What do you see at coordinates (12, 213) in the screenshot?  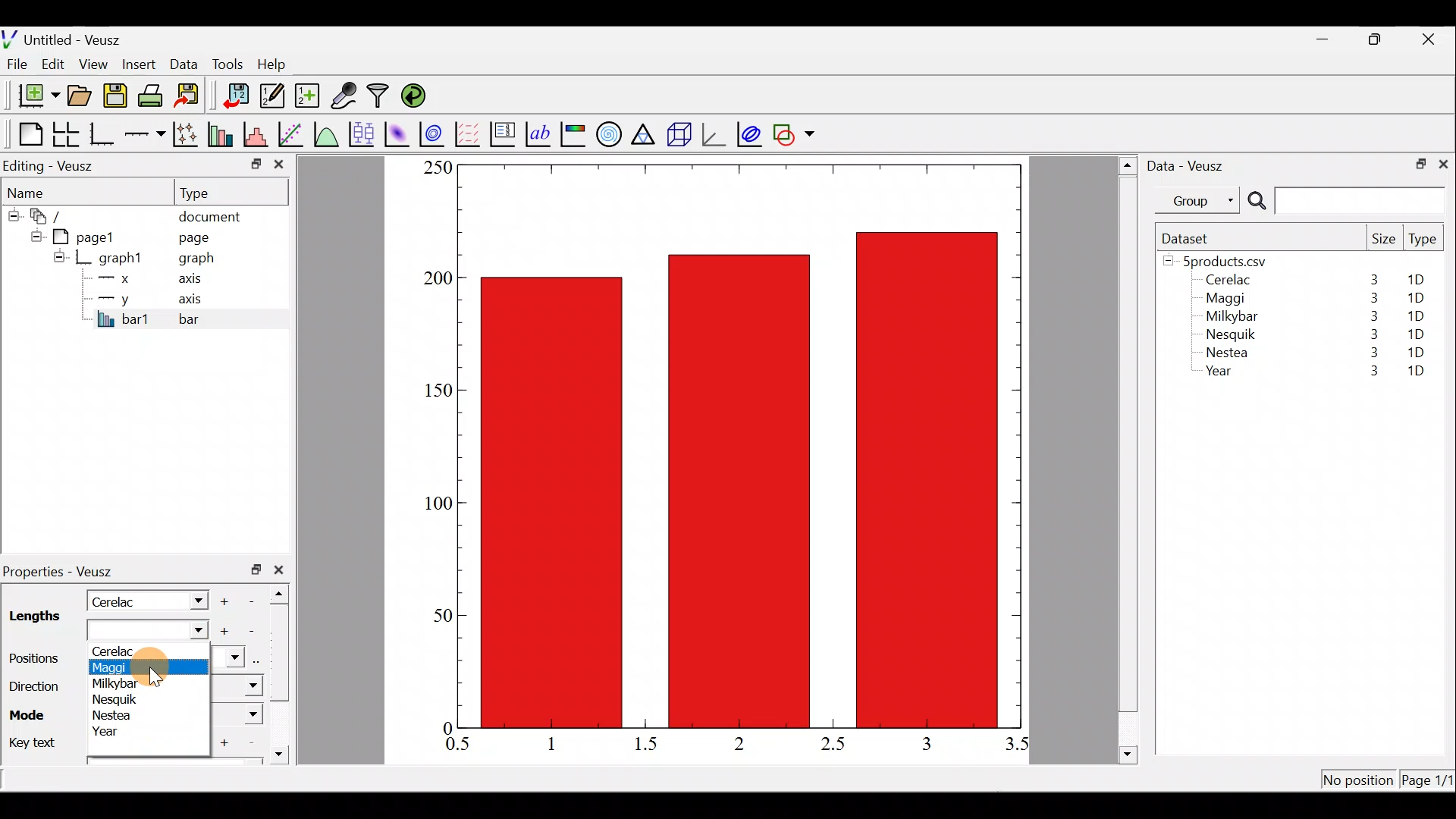 I see `hide` at bounding box center [12, 213].